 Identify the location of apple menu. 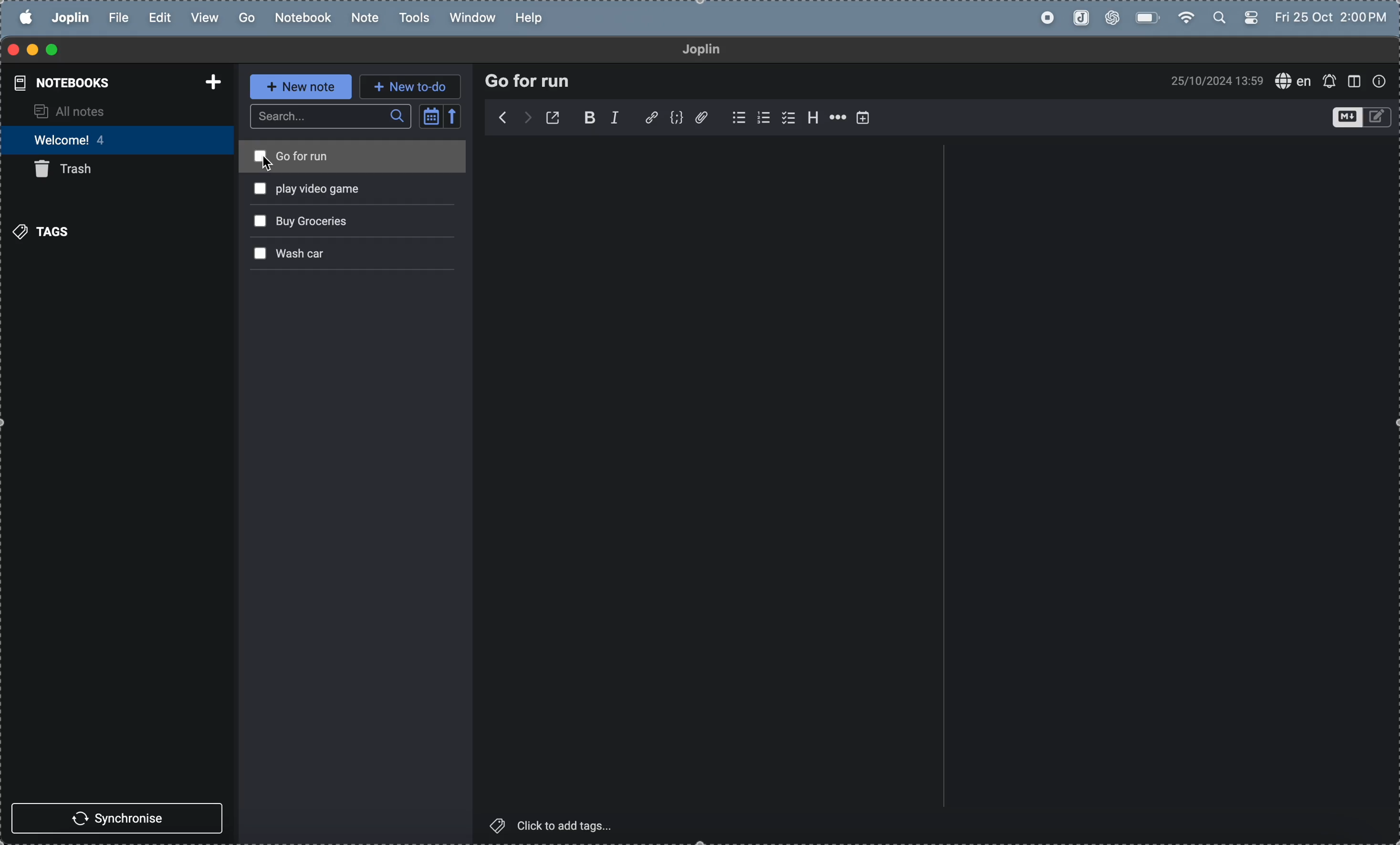
(19, 18).